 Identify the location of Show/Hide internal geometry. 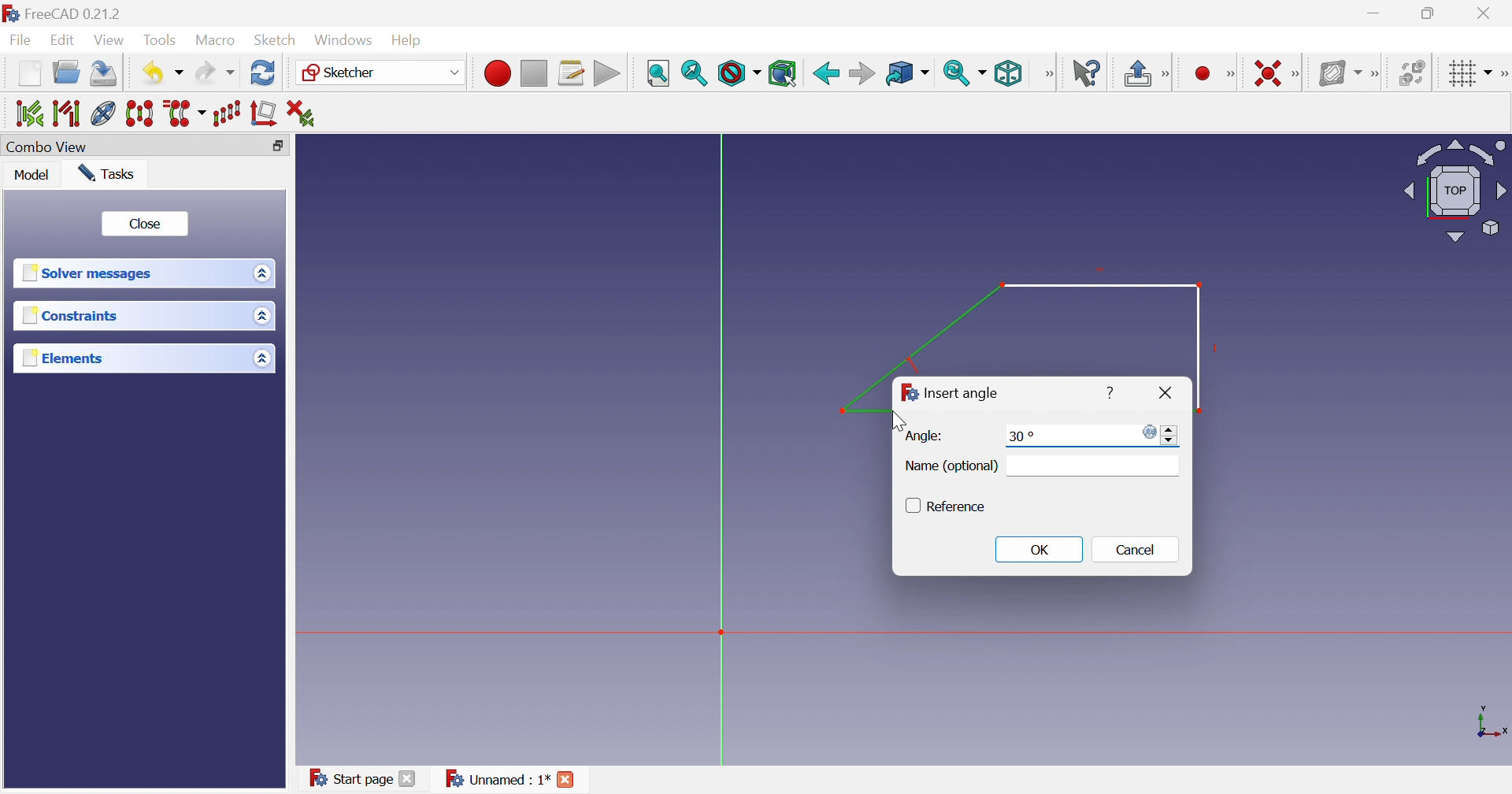
(102, 113).